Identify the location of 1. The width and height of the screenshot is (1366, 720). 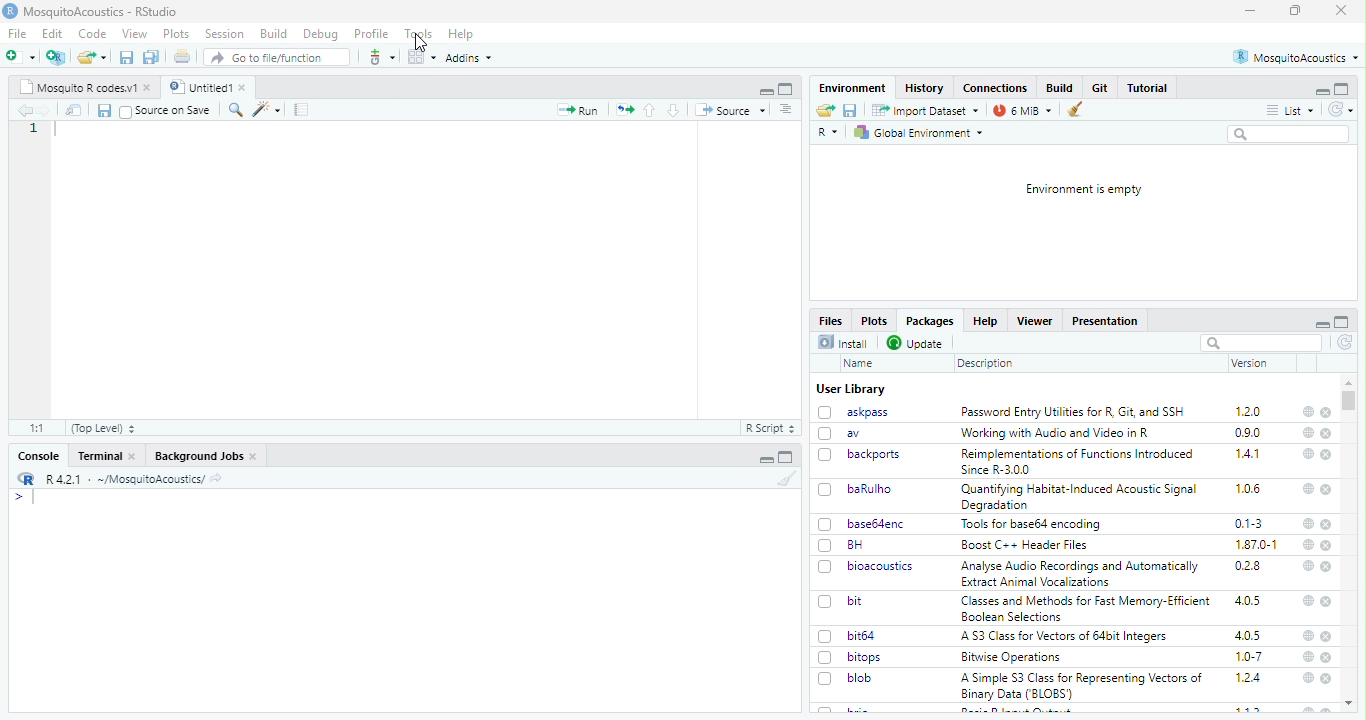
(34, 128).